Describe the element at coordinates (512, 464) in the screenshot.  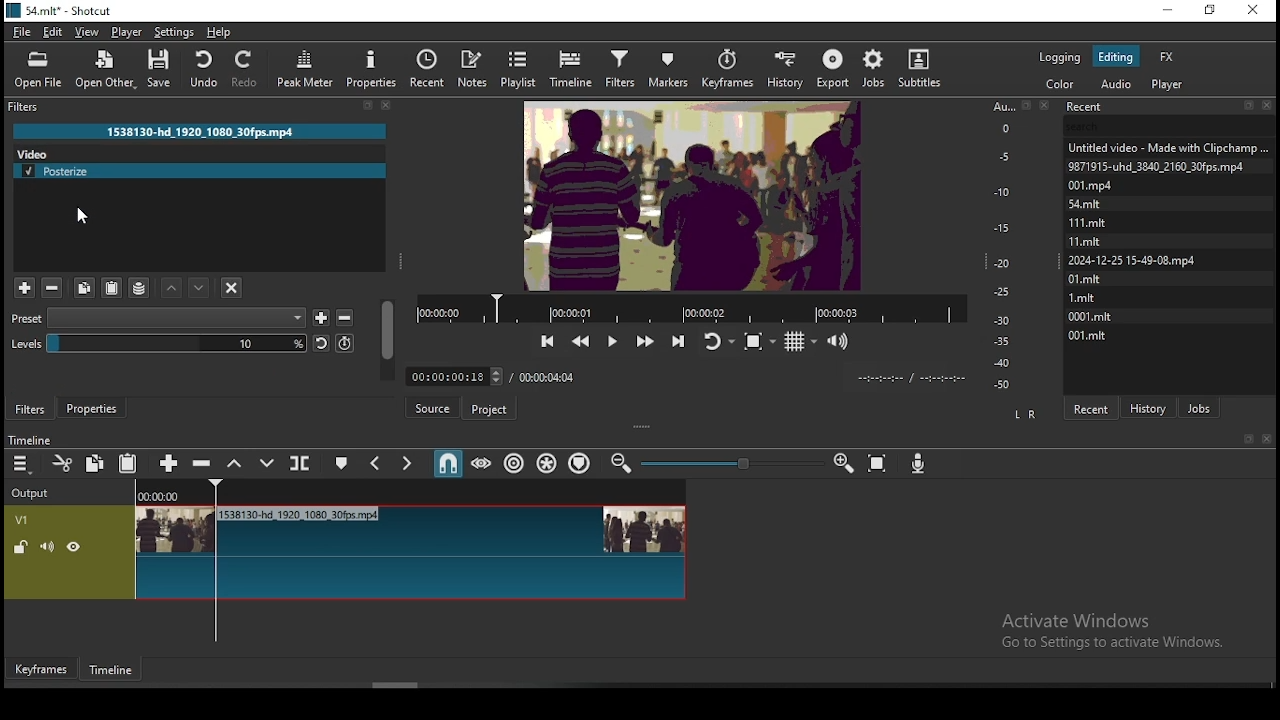
I see `ripple` at that location.